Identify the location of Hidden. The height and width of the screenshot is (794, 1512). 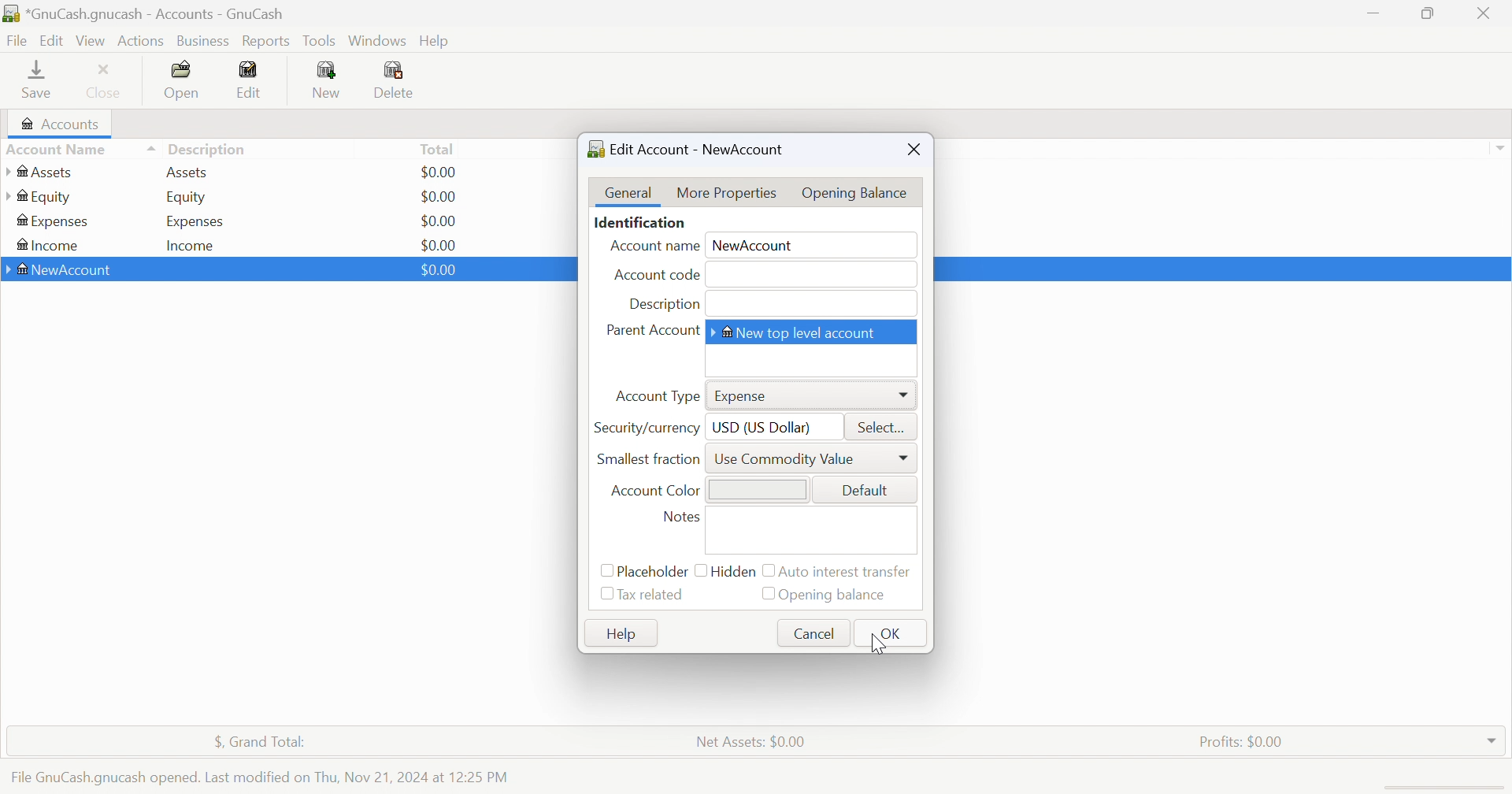
(735, 572).